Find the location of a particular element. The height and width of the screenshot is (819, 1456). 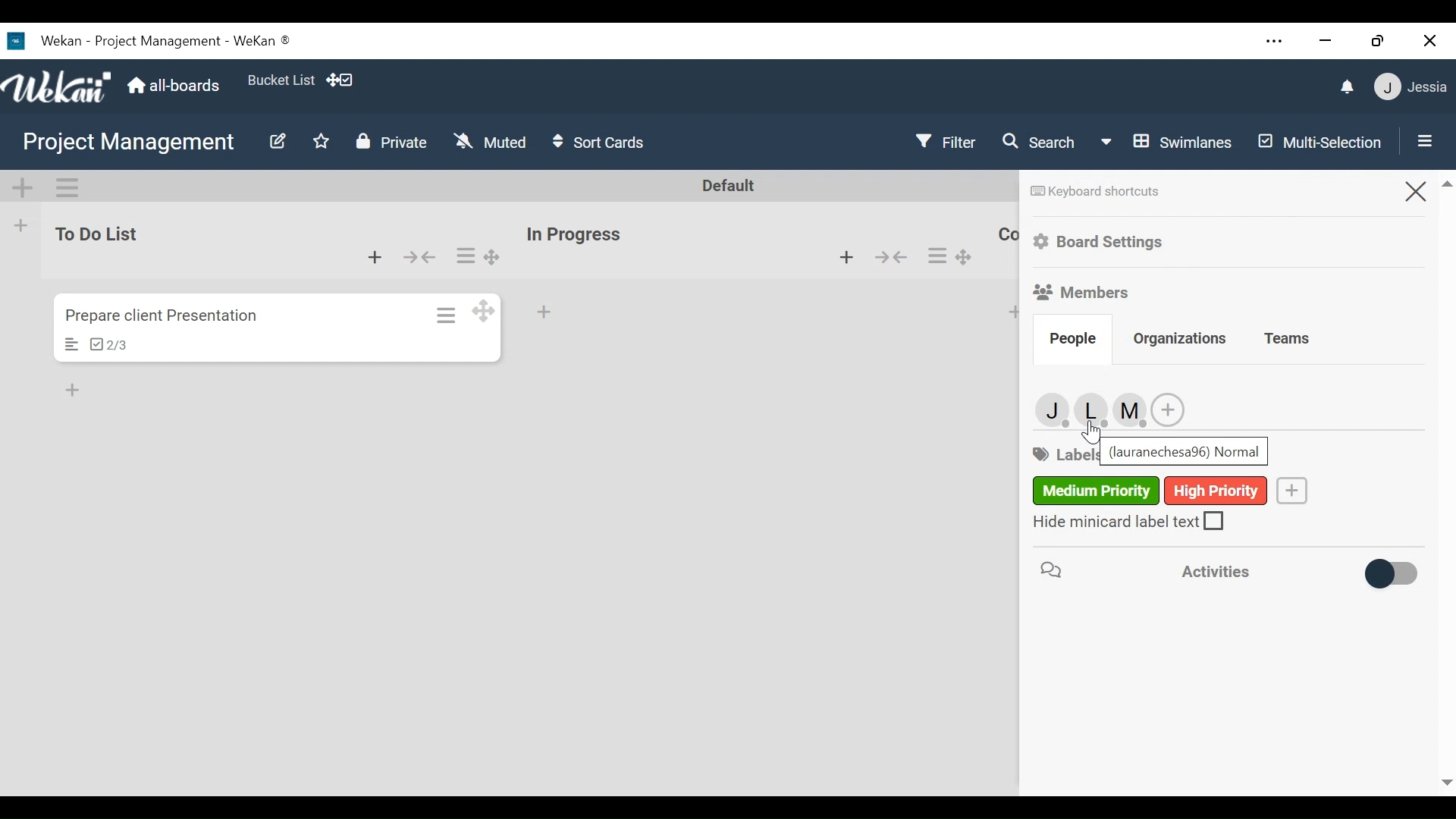

Add card to top of the list is located at coordinates (1016, 312).